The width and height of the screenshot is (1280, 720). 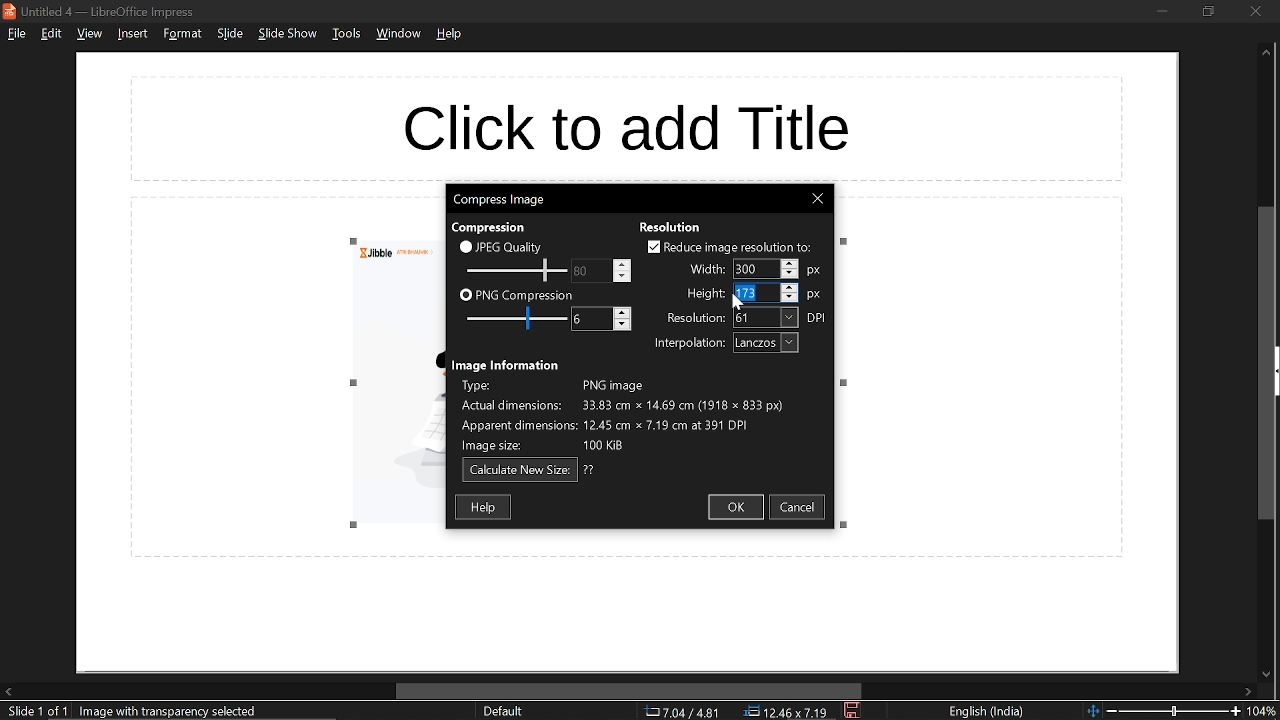 I want to click on location, so click(x=789, y=712).